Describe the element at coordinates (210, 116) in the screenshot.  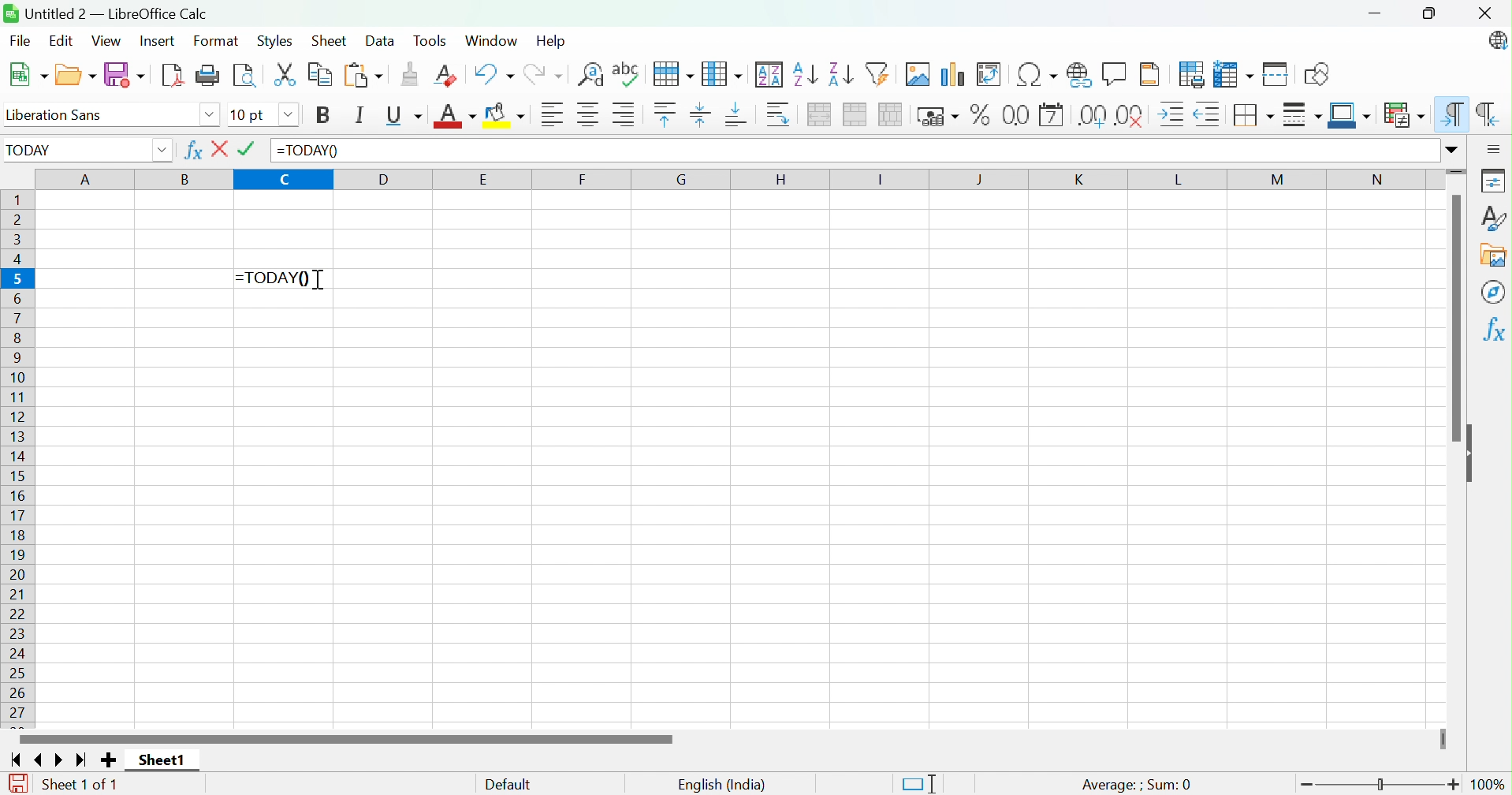
I see `Drop down` at that location.